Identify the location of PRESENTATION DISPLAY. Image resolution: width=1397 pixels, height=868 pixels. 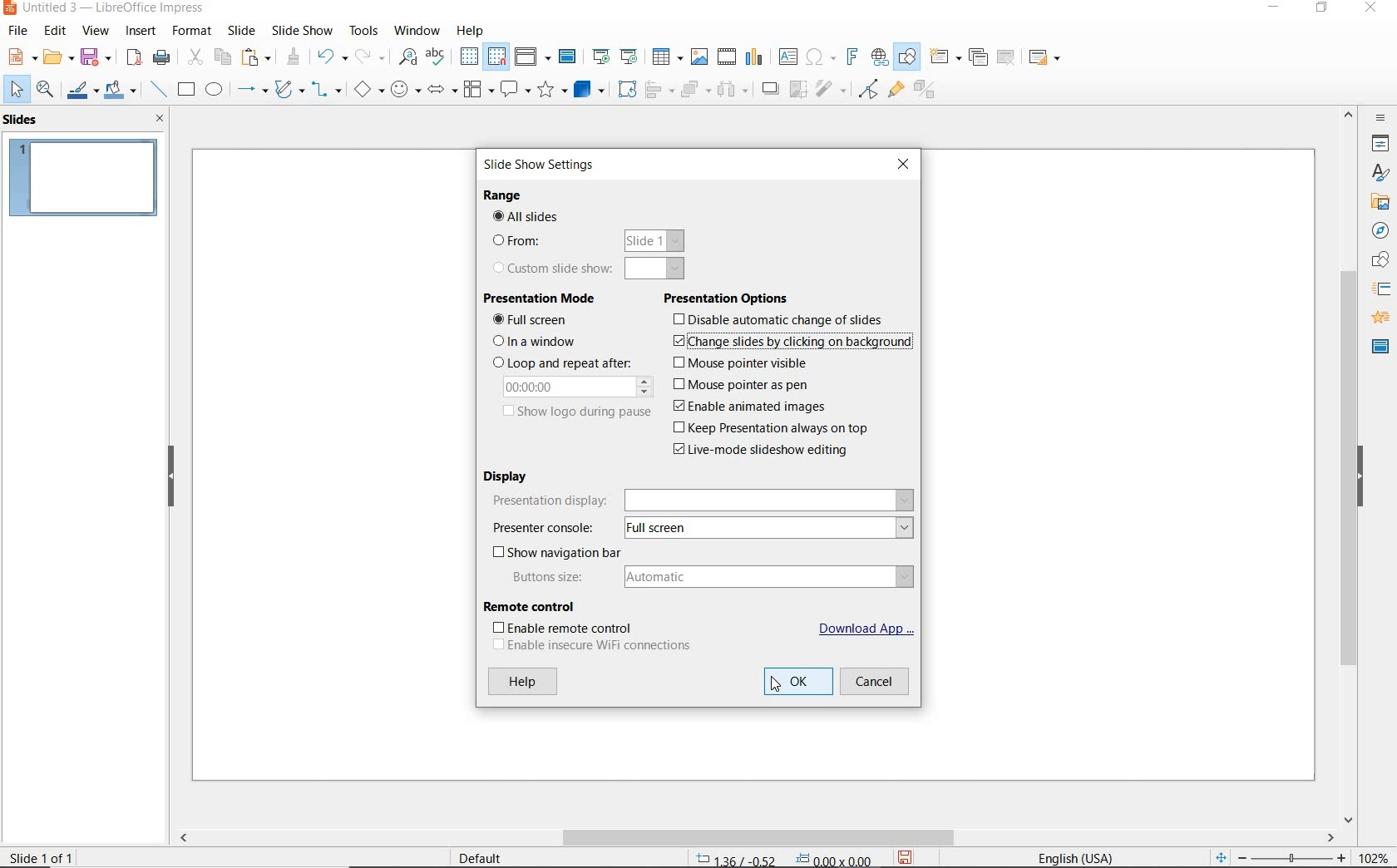
(701, 500).